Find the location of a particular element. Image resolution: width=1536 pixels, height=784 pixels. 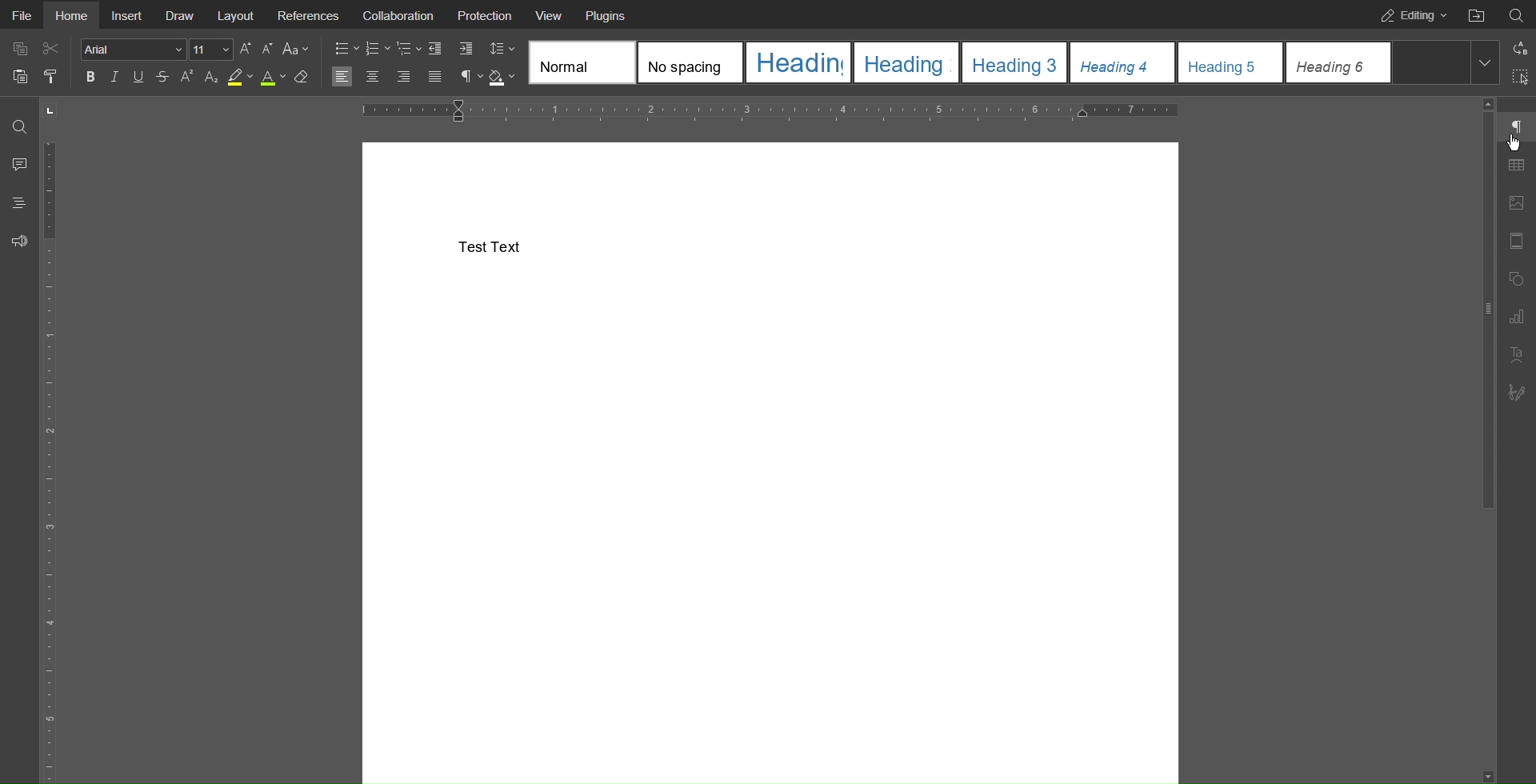

Vertical Ruler is located at coordinates (53, 458).